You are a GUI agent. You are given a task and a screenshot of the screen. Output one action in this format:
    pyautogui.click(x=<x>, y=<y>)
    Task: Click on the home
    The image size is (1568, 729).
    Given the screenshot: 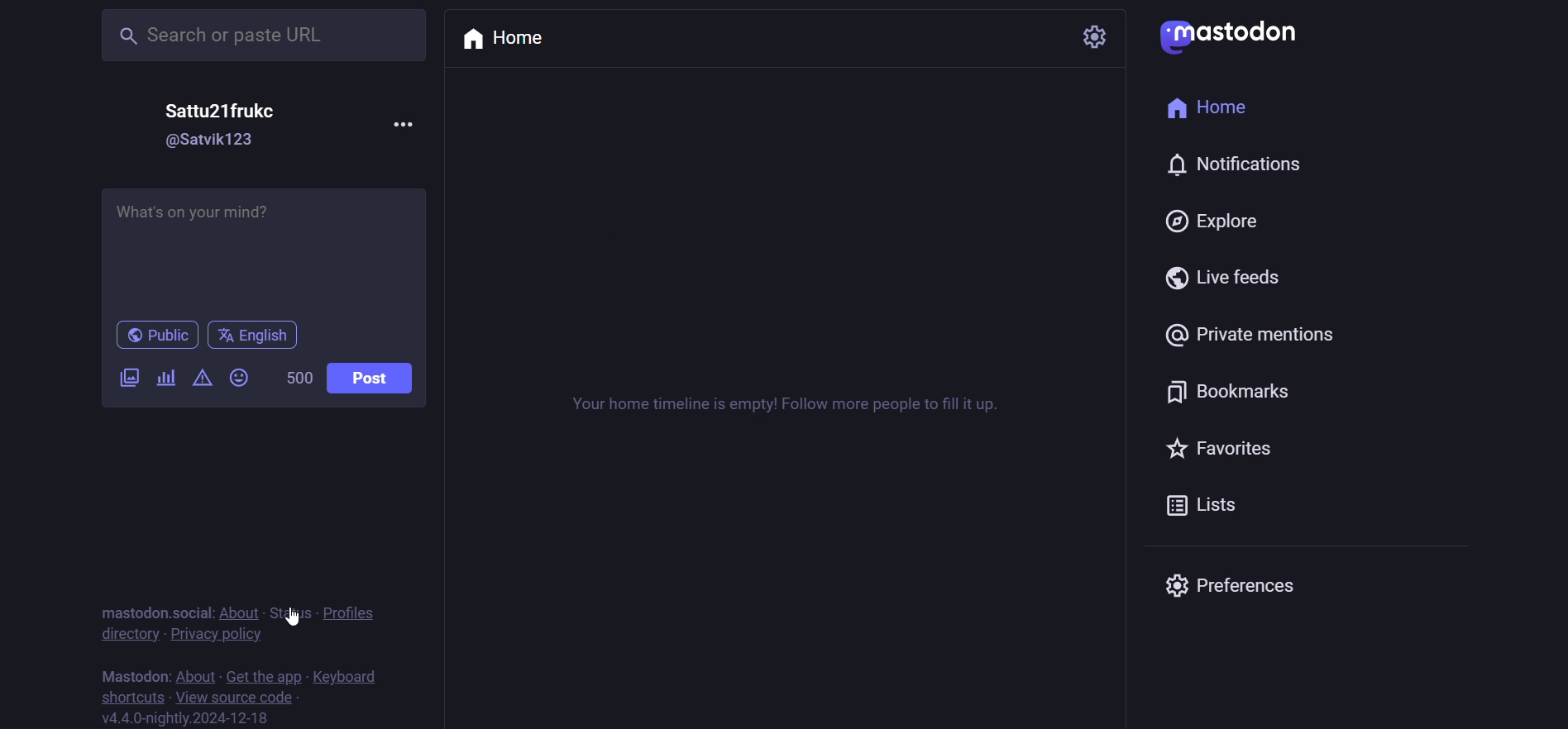 What is the action you would take?
    pyautogui.click(x=514, y=37)
    